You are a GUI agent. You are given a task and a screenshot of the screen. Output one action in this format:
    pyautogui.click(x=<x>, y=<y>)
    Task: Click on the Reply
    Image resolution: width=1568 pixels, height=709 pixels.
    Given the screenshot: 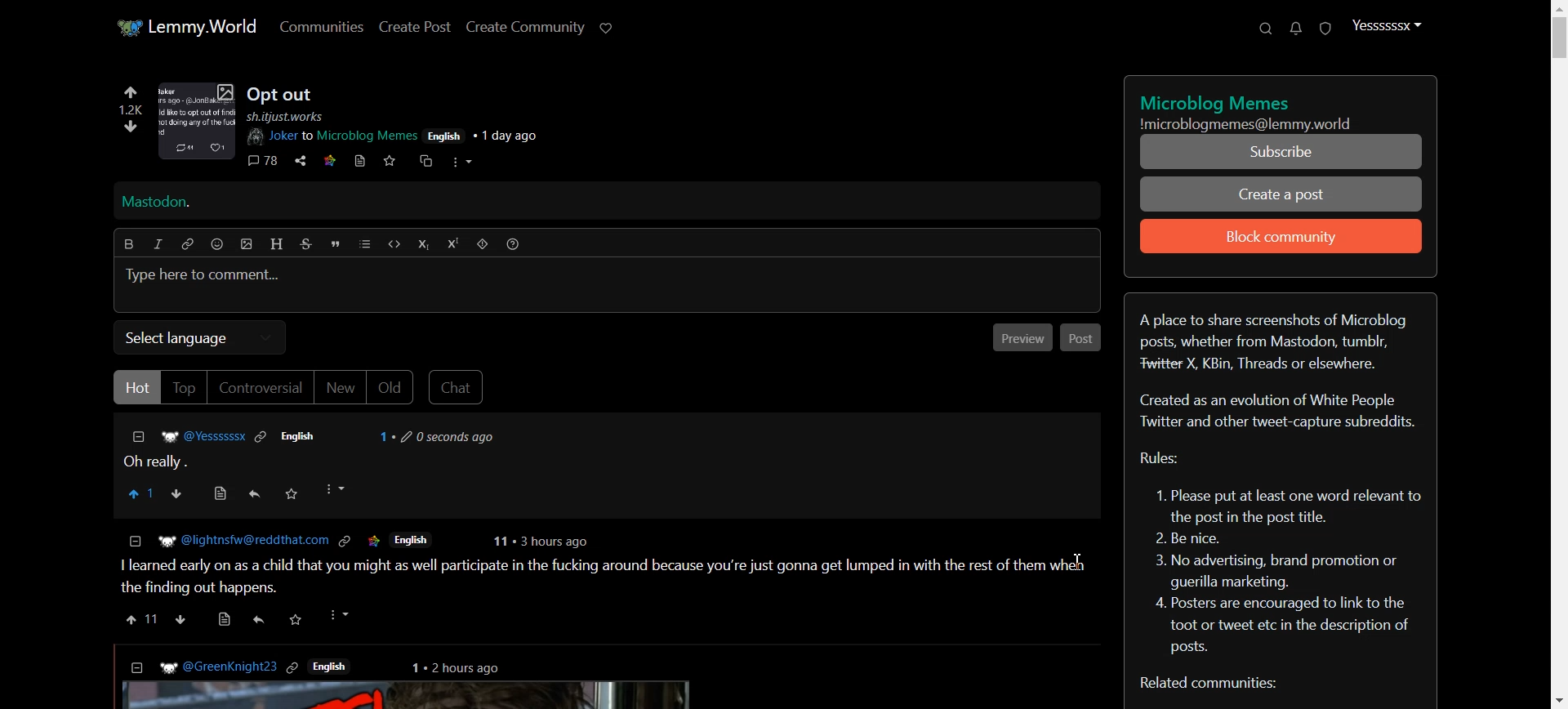 What is the action you would take?
    pyautogui.click(x=255, y=494)
    